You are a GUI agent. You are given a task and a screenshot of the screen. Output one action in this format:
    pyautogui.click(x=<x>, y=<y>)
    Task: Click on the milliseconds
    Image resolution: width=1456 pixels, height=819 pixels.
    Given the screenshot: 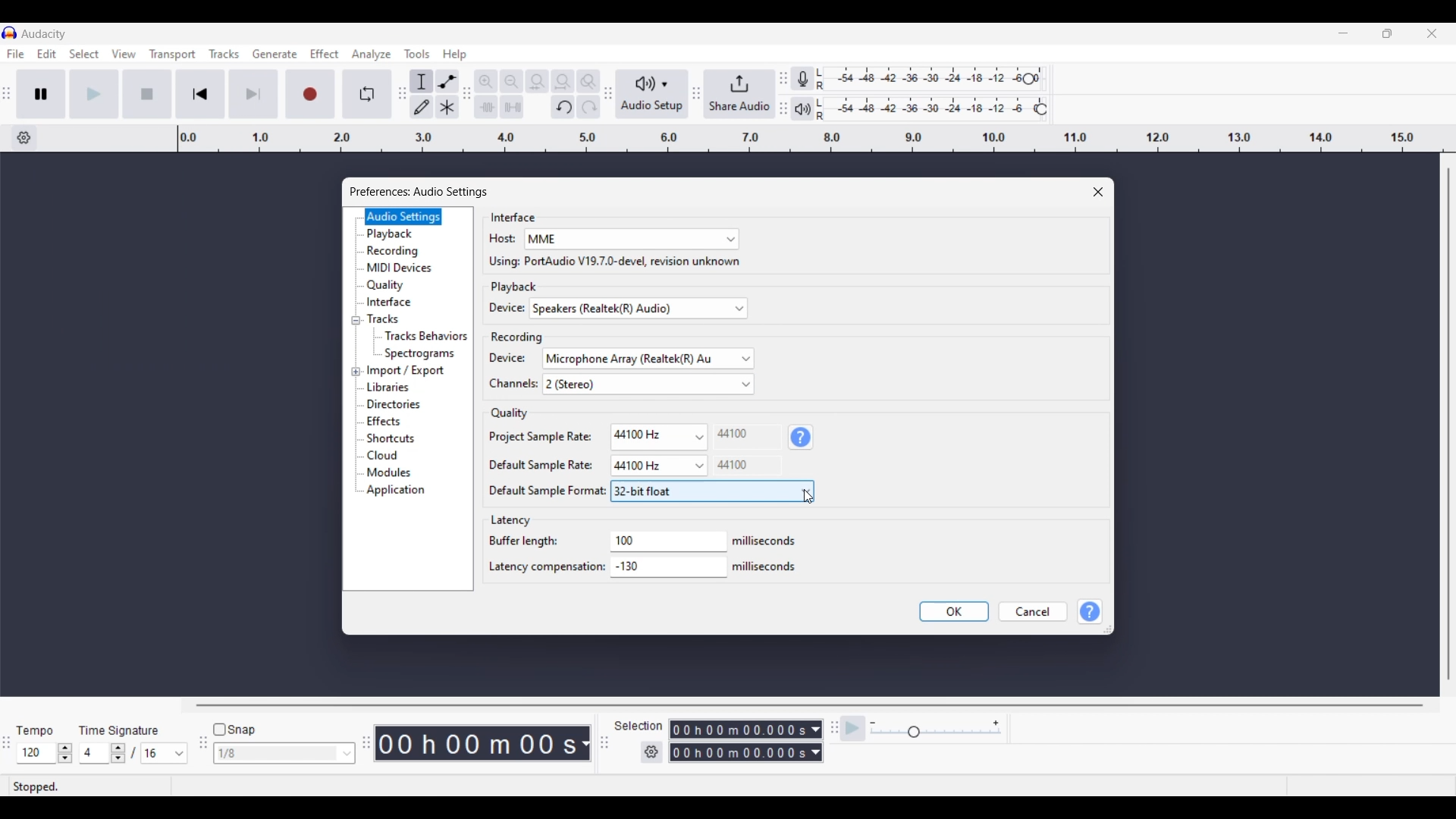 What is the action you would take?
    pyautogui.click(x=767, y=566)
    